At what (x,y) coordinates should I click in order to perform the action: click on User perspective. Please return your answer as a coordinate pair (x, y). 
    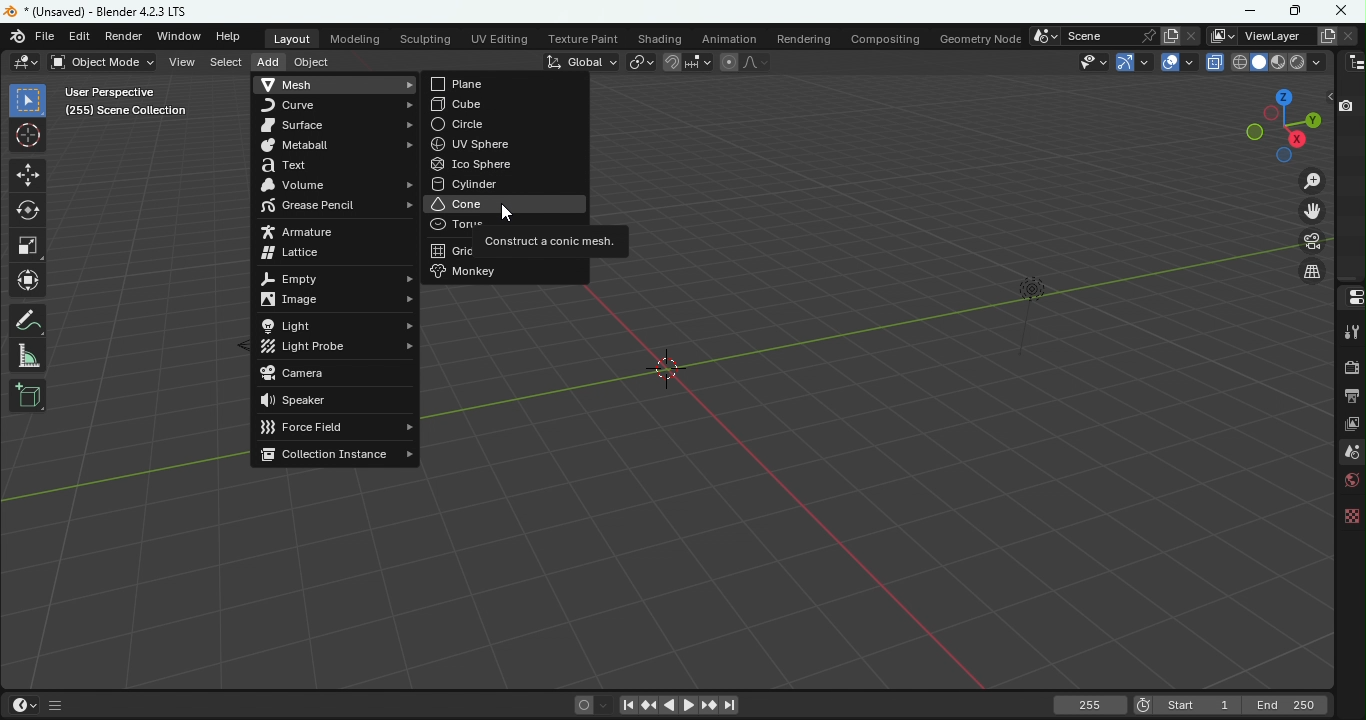
    Looking at the image, I should click on (125, 101).